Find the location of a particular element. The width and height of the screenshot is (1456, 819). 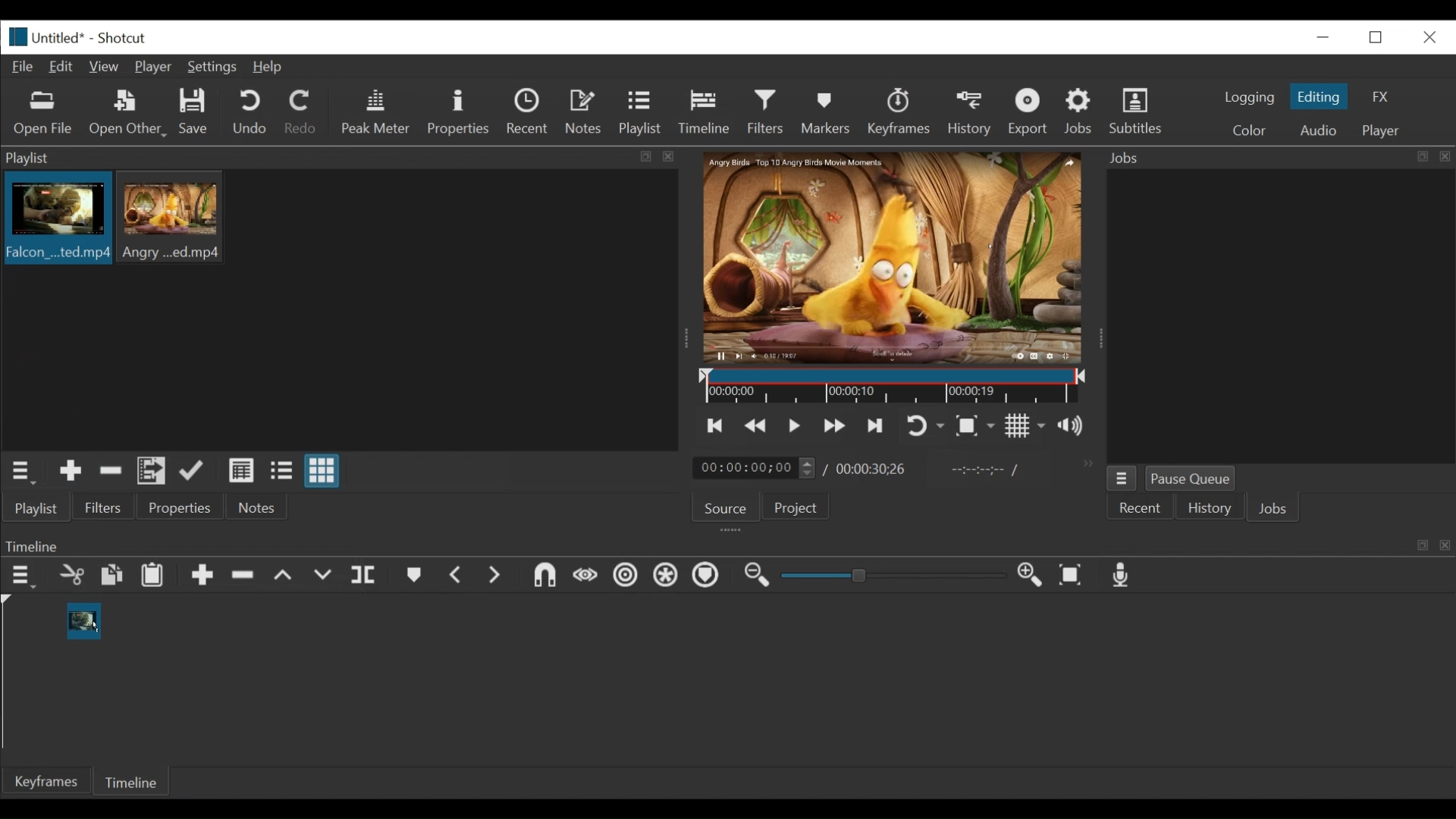

File name is located at coordinates (61, 39).